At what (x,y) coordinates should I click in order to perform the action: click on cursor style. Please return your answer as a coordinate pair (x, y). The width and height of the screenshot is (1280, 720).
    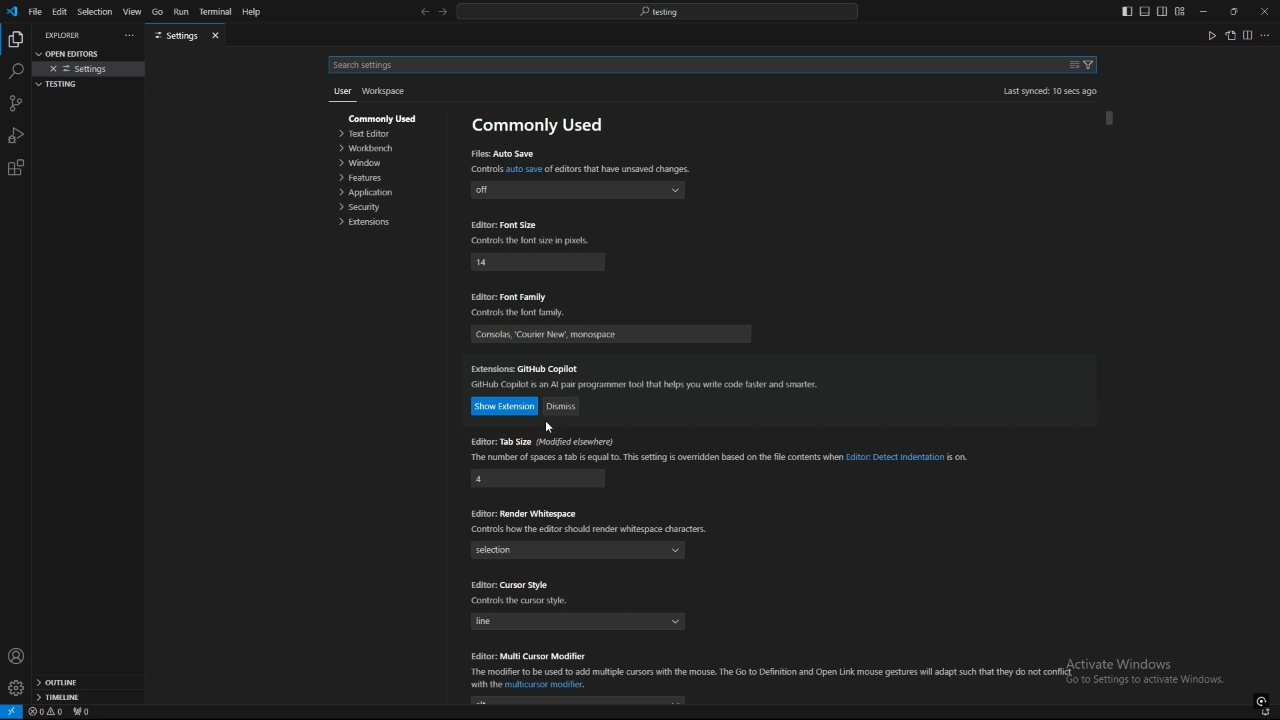
    Looking at the image, I should click on (510, 585).